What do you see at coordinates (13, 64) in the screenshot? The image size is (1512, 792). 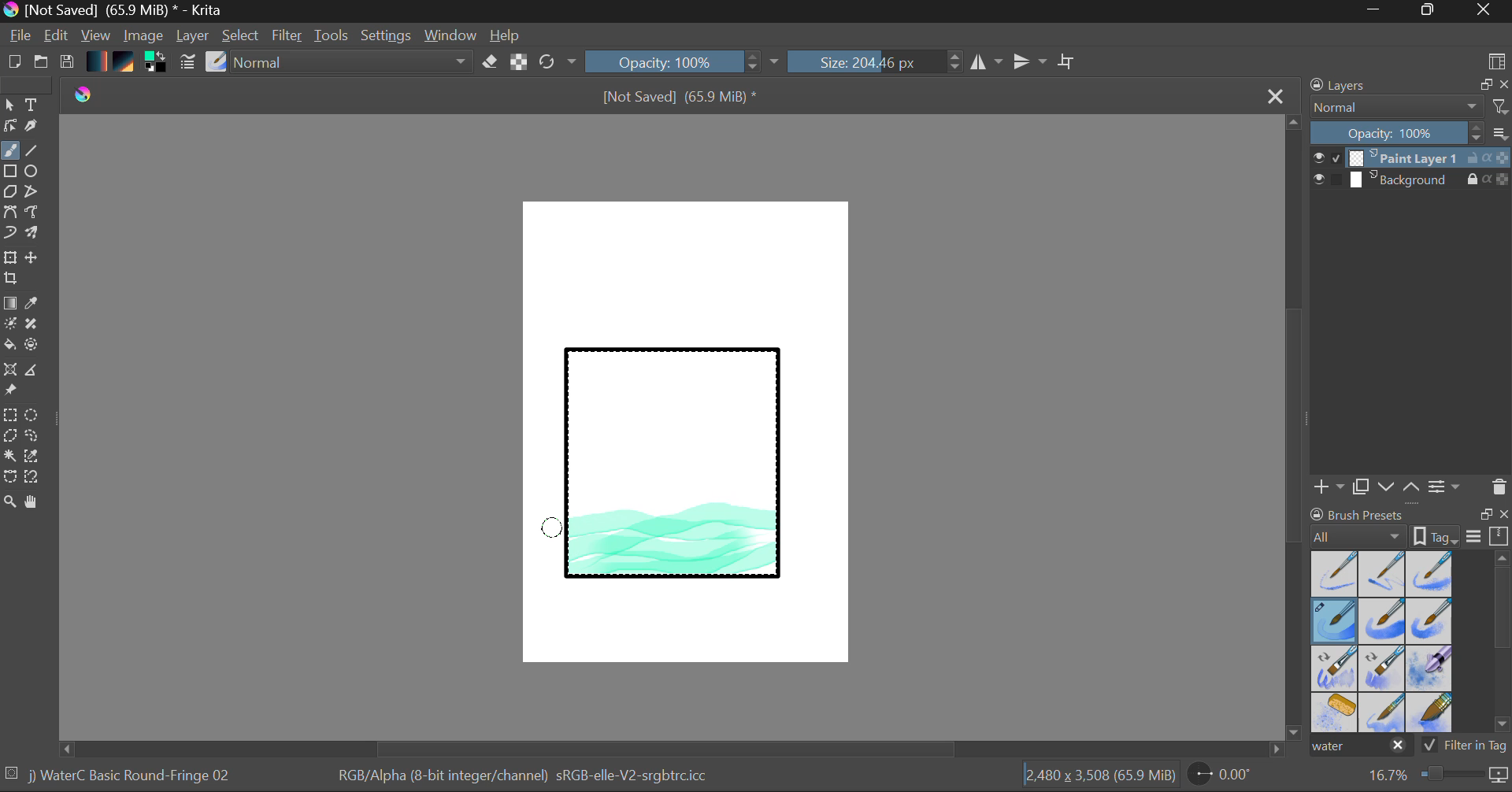 I see `New` at bounding box center [13, 64].